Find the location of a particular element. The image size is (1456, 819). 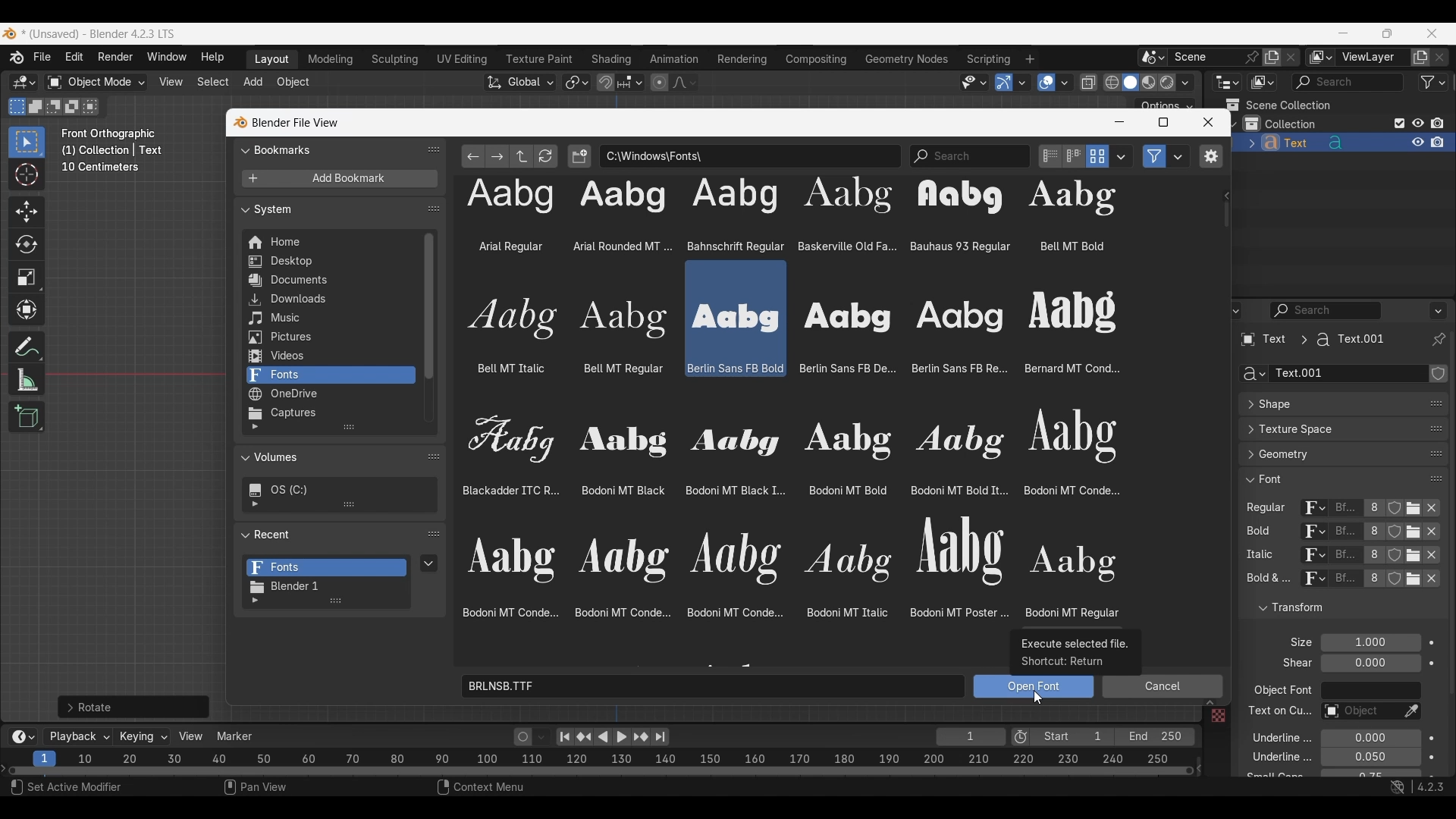

Overlays is located at coordinates (1064, 83).